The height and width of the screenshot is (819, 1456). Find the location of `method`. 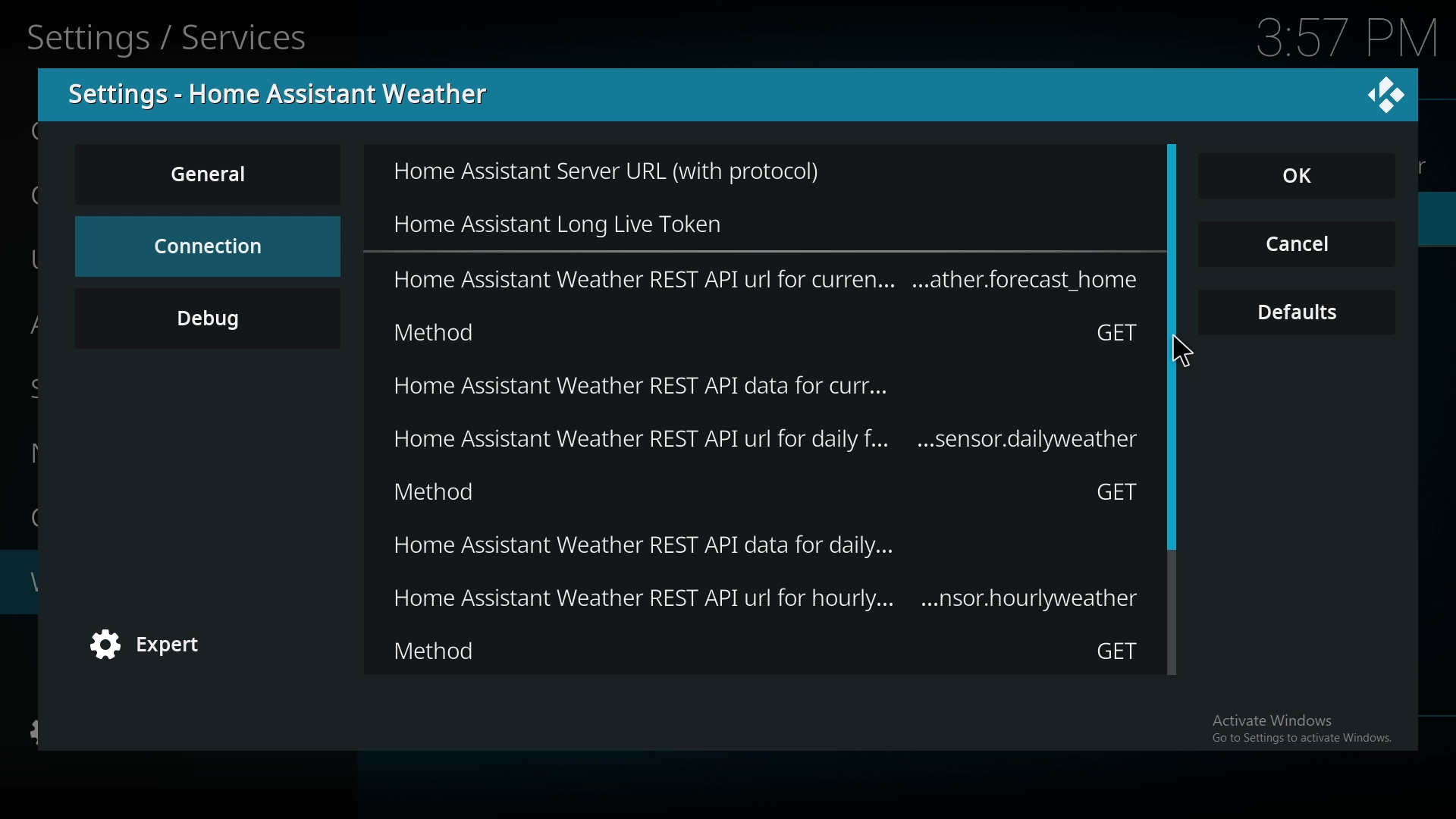

method is located at coordinates (769, 331).